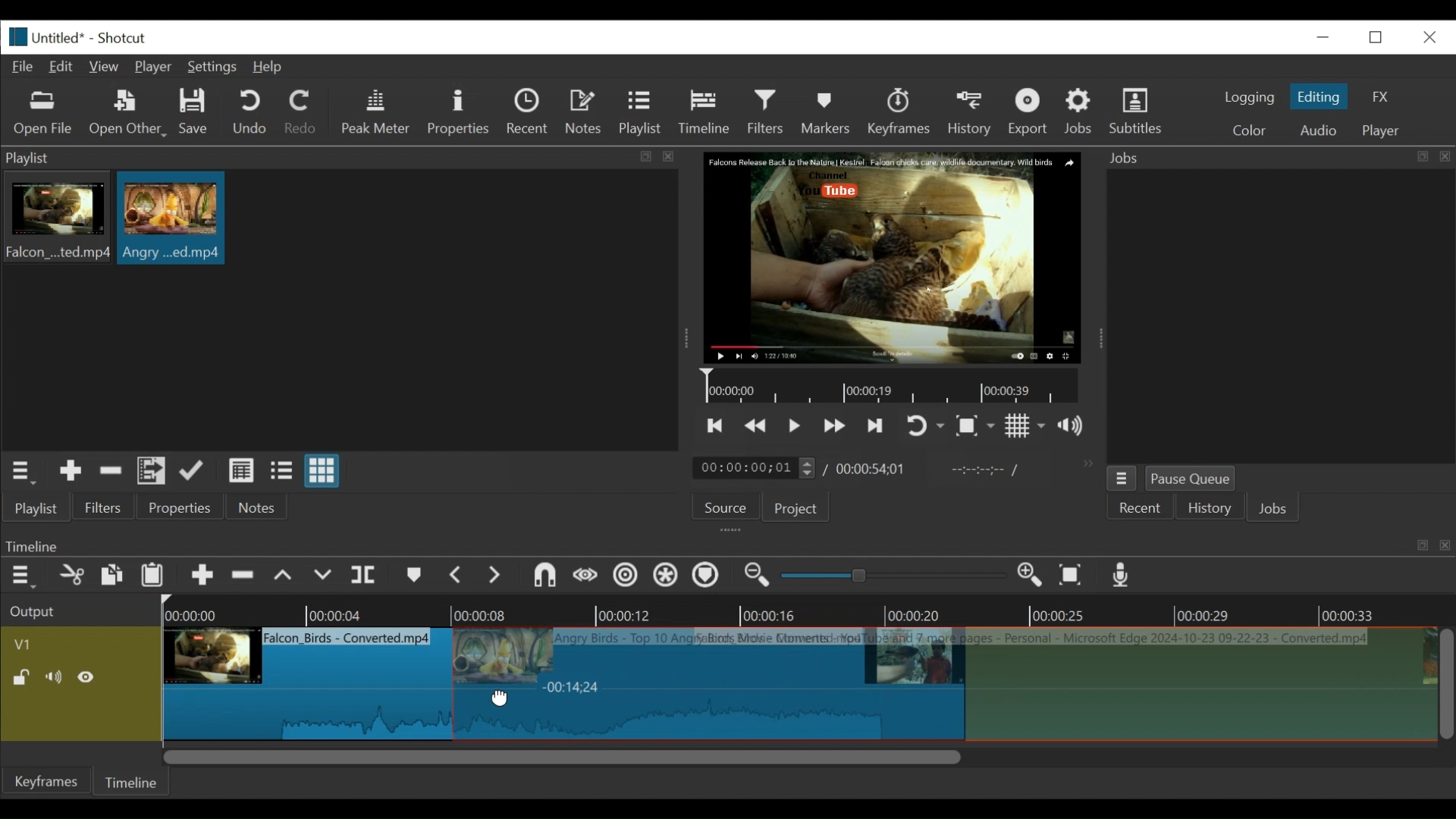  What do you see at coordinates (285, 577) in the screenshot?
I see `lift` at bounding box center [285, 577].